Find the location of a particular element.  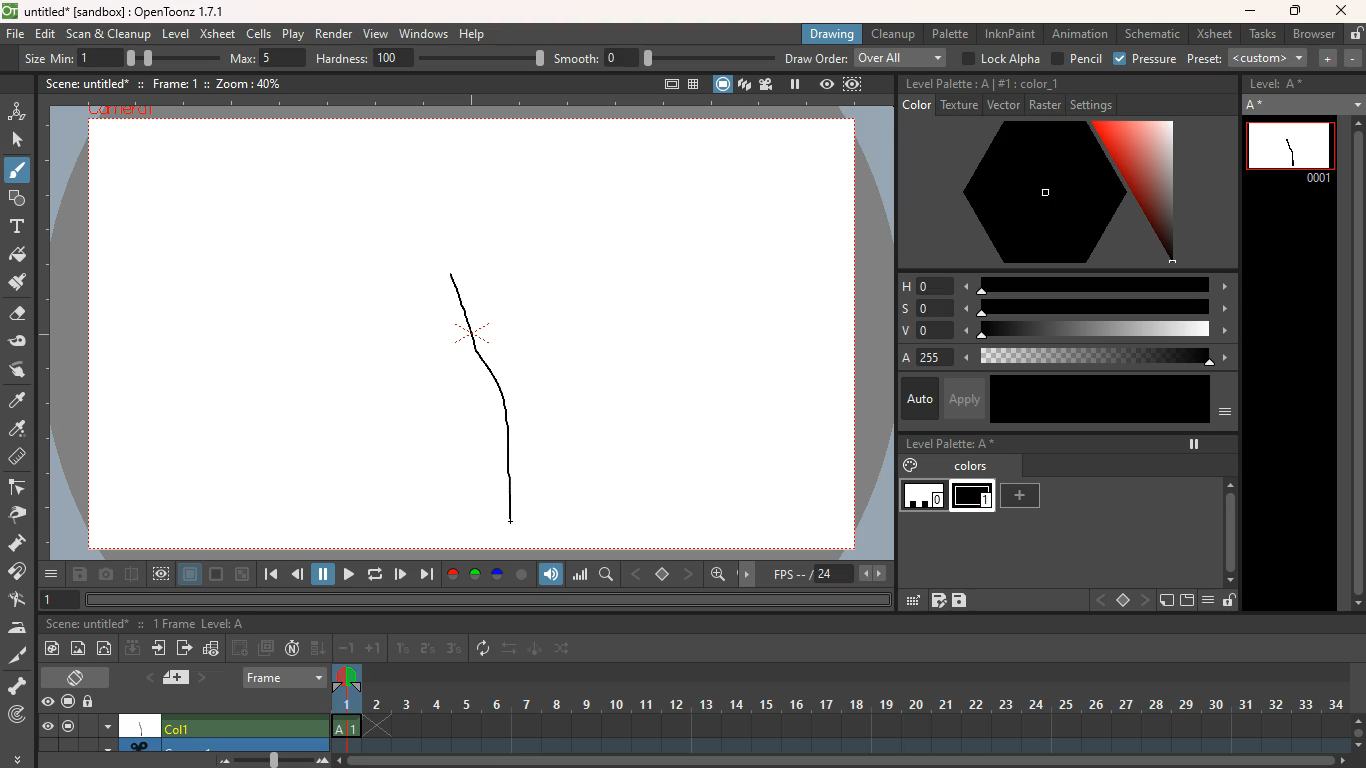

xsheet is located at coordinates (1214, 35).